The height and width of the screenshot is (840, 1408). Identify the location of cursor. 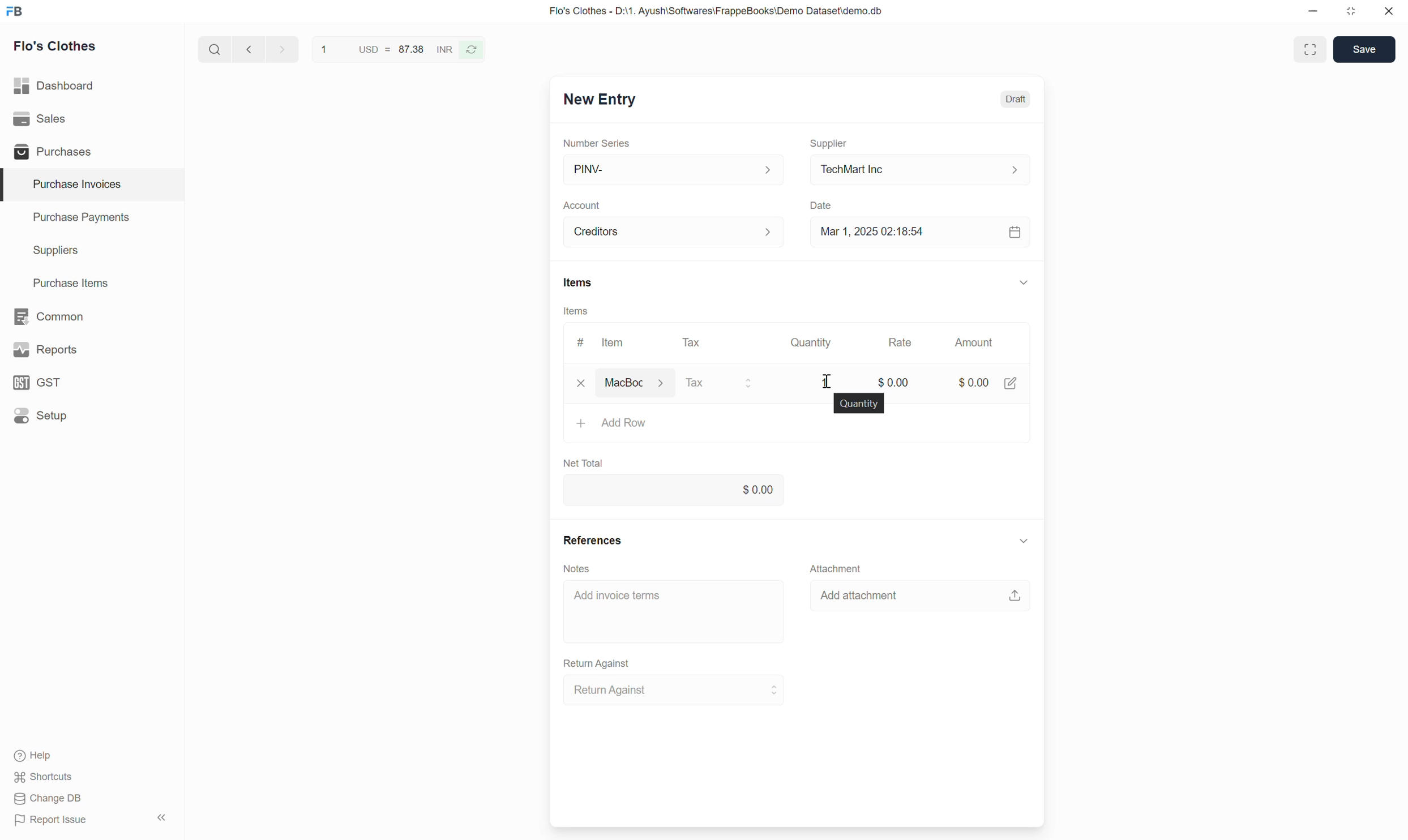
(830, 382).